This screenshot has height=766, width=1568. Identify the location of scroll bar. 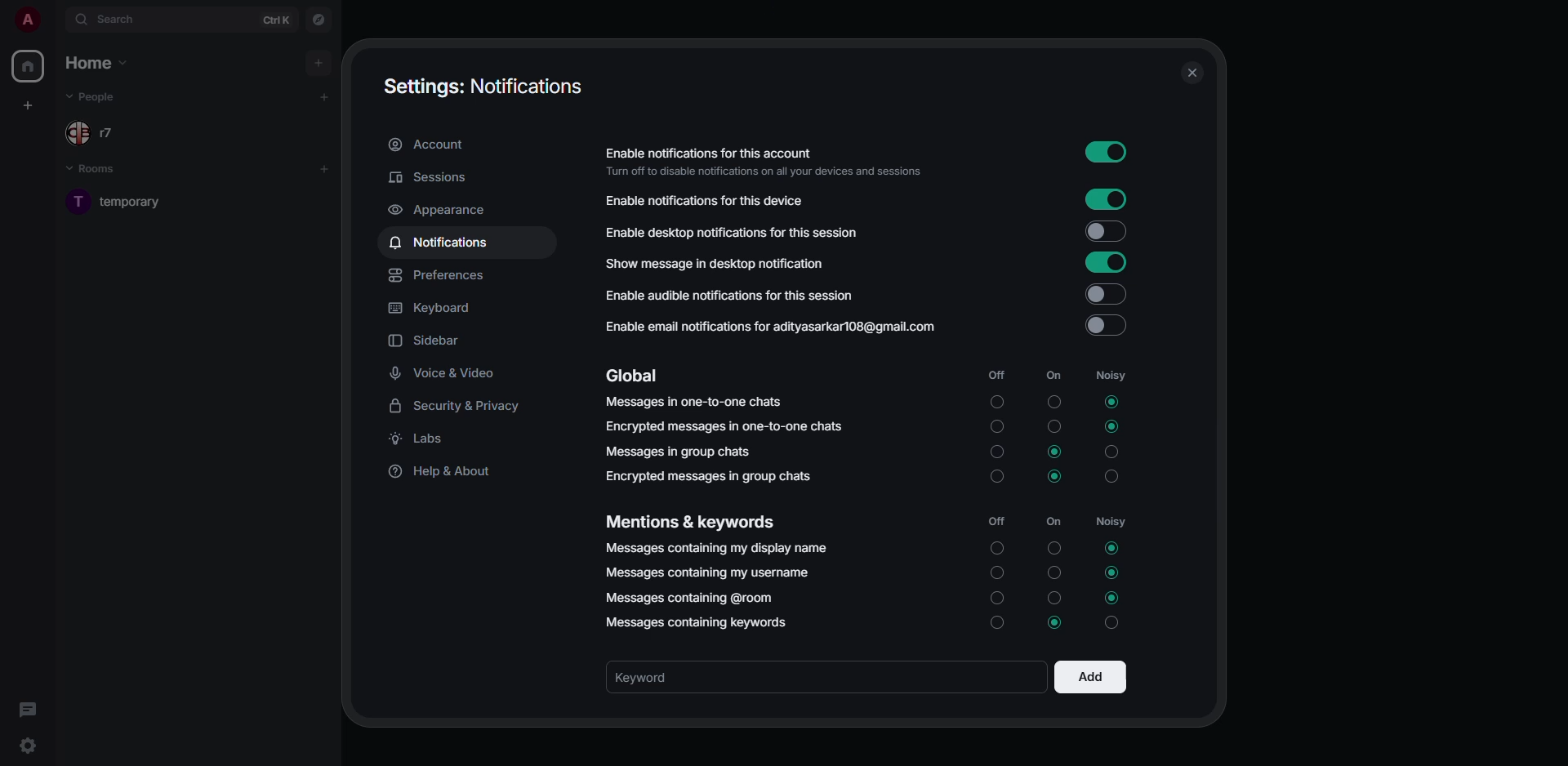
(1211, 308).